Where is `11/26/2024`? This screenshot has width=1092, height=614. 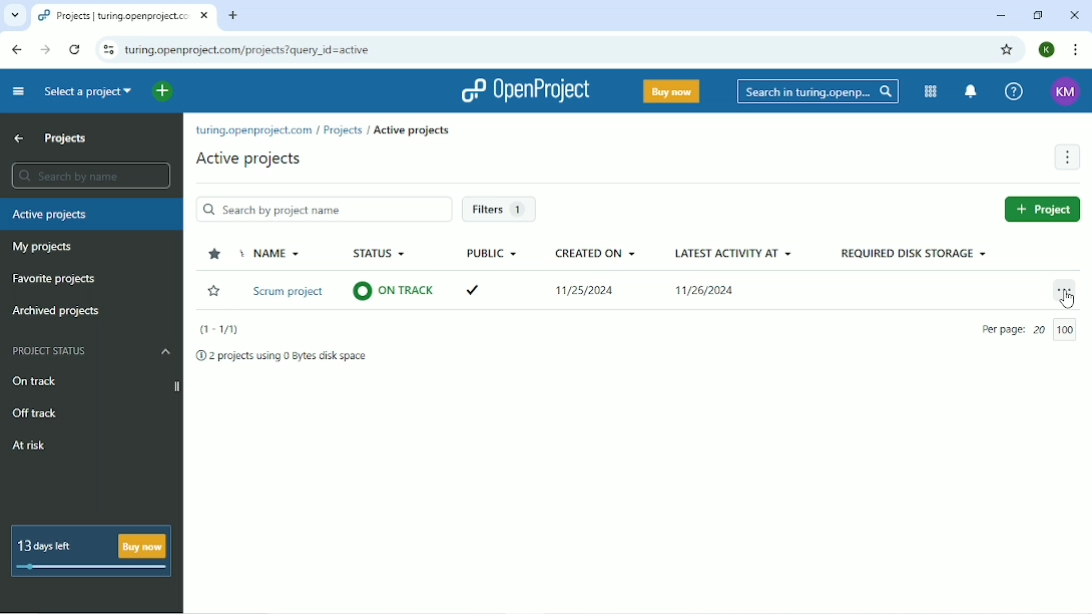 11/26/2024 is located at coordinates (704, 293).